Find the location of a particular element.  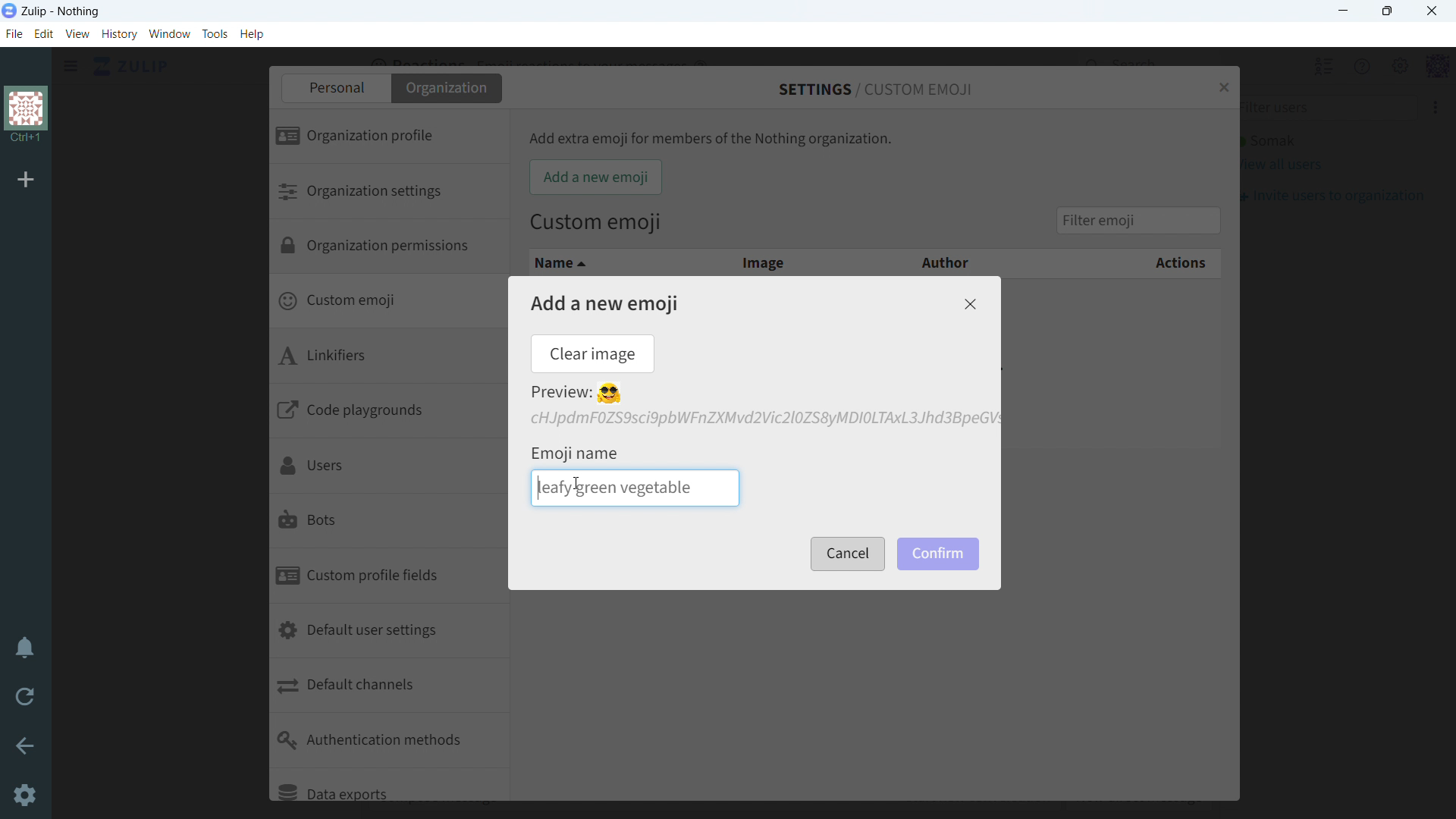

maximize is located at coordinates (1388, 11).